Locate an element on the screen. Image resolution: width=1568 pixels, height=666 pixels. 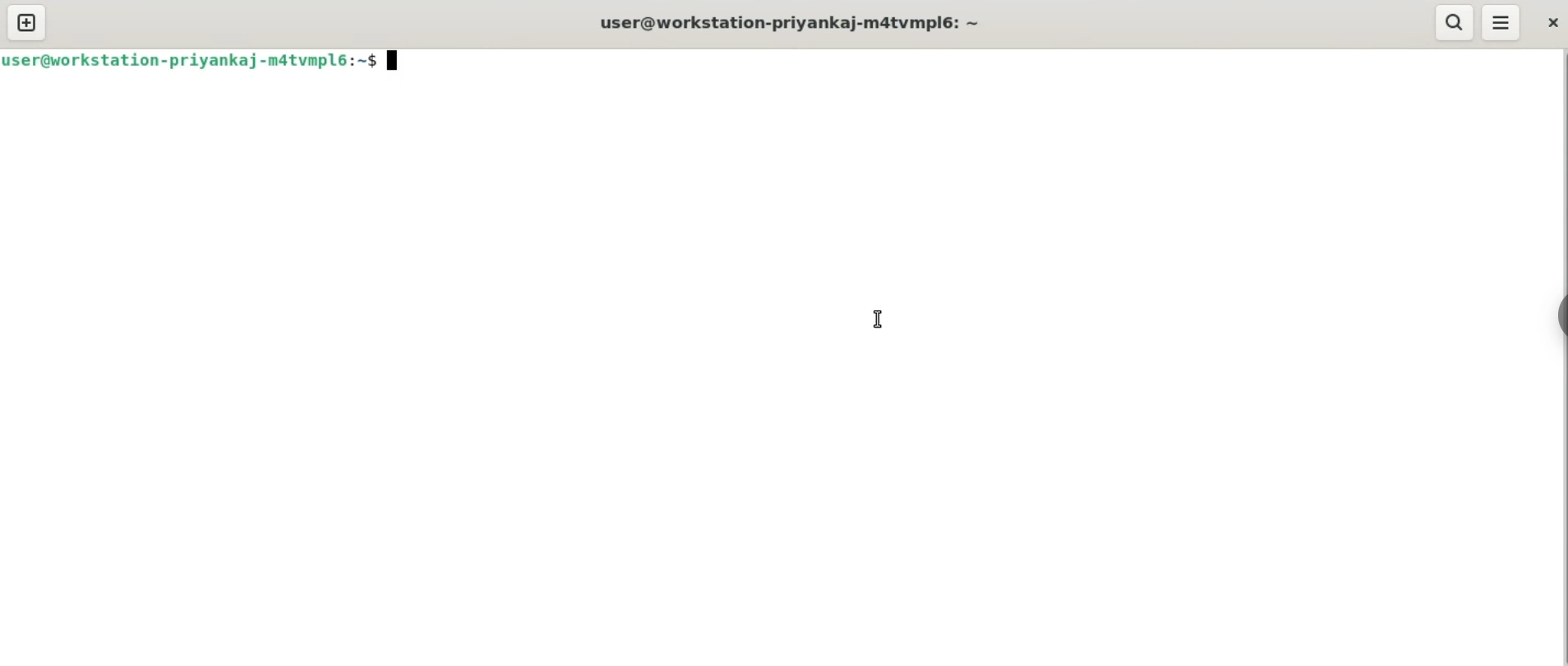
close is located at coordinates (1546, 21).